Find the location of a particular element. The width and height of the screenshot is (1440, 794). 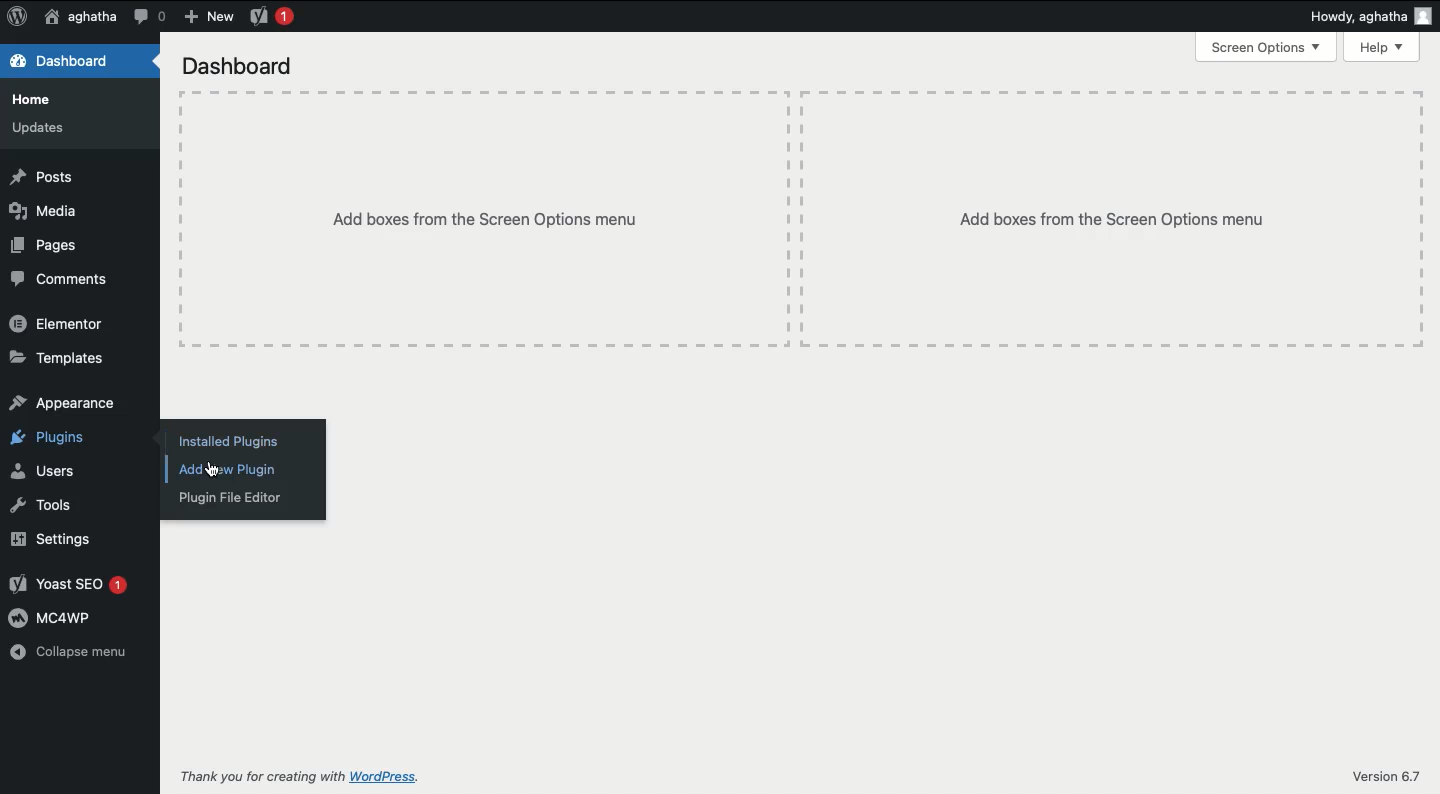

Pages is located at coordinates (44, 244).